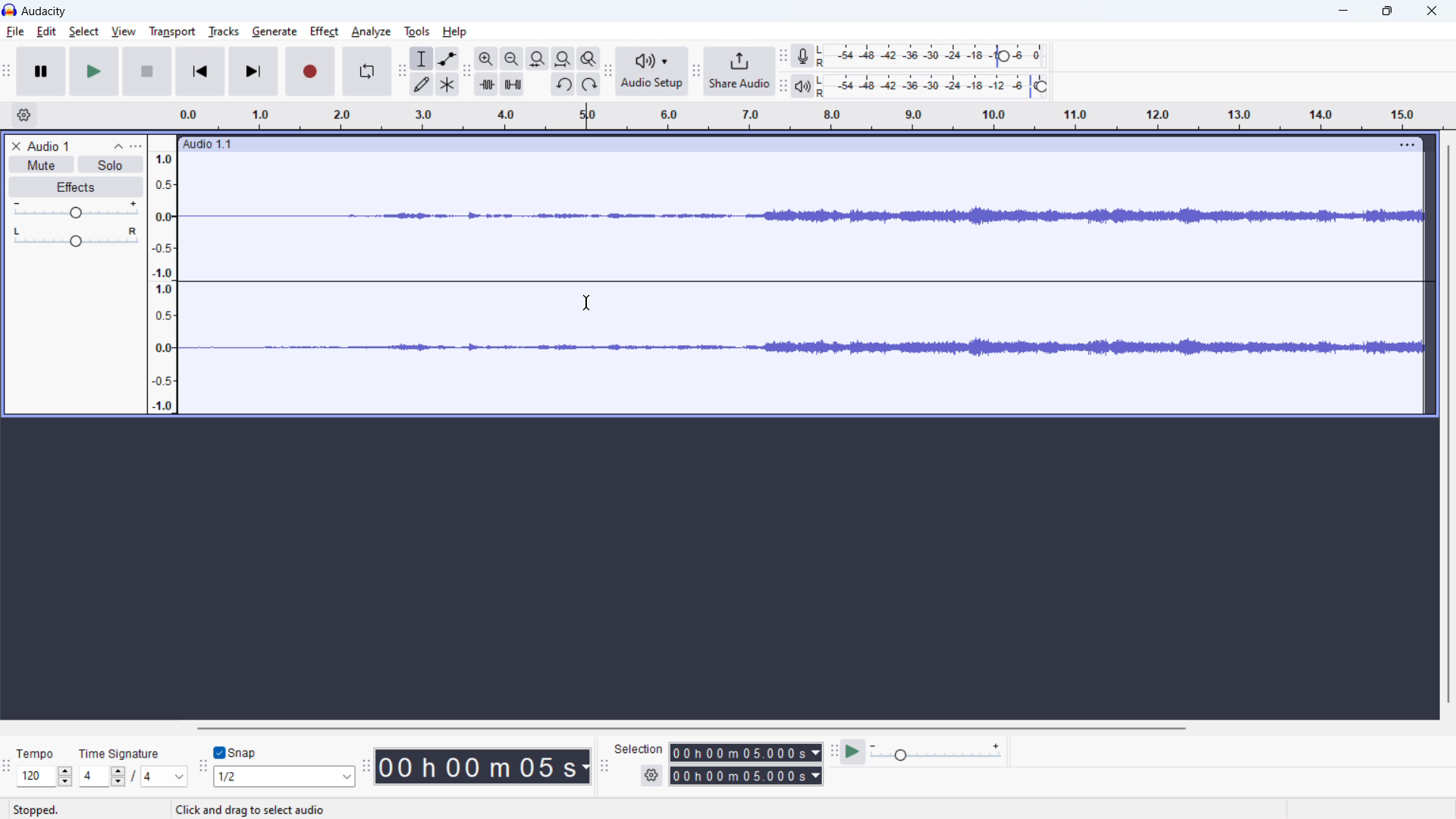  What do you see at coordinates (690, 731) in the screenshot?
I see `horizontal scrollbar` at bounding box center [690, 731].